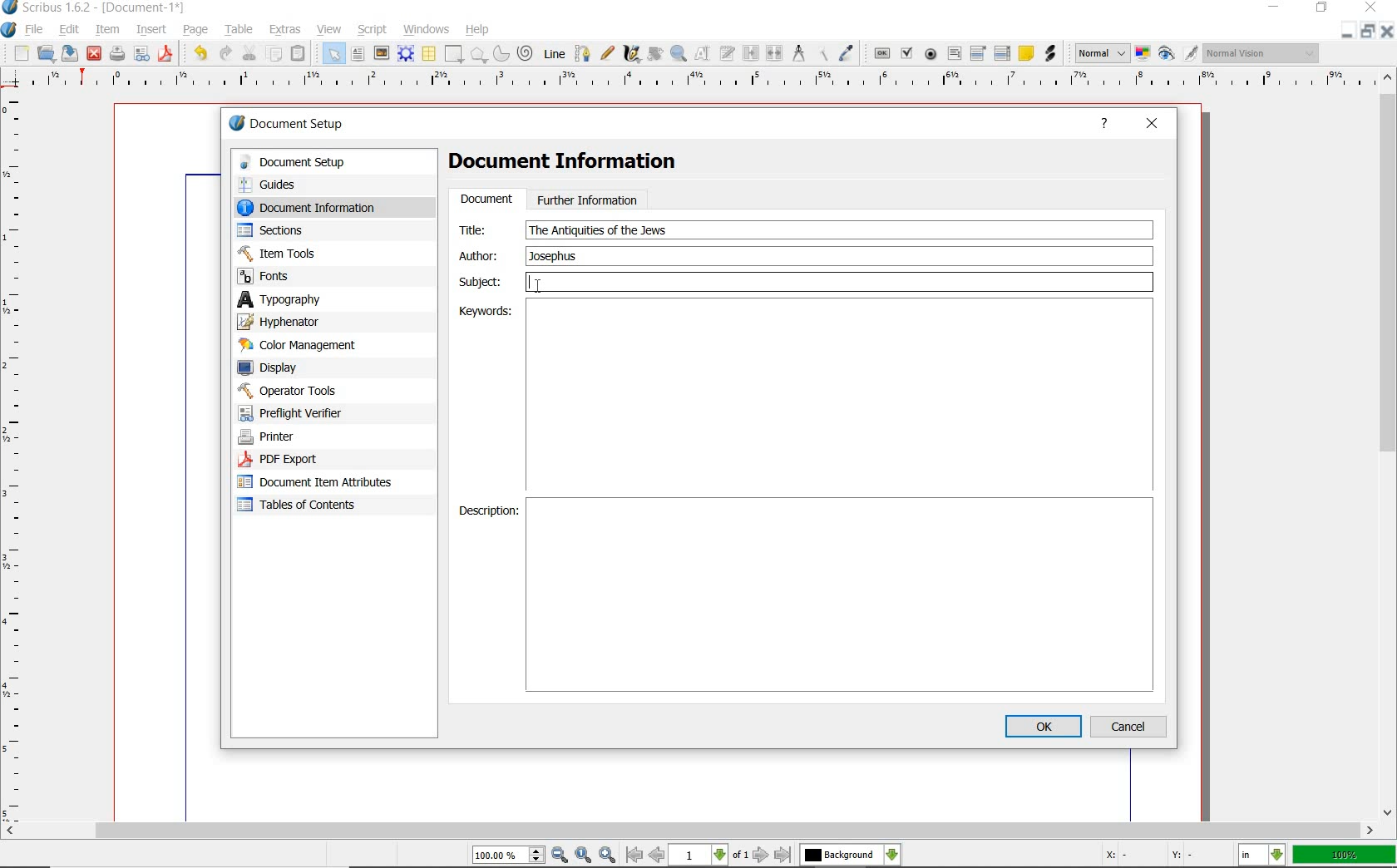 This screenshot has width=1397, height=868. Describe the element at coordinates (406, 54) in the screenshot. I see `render frame` at that location.